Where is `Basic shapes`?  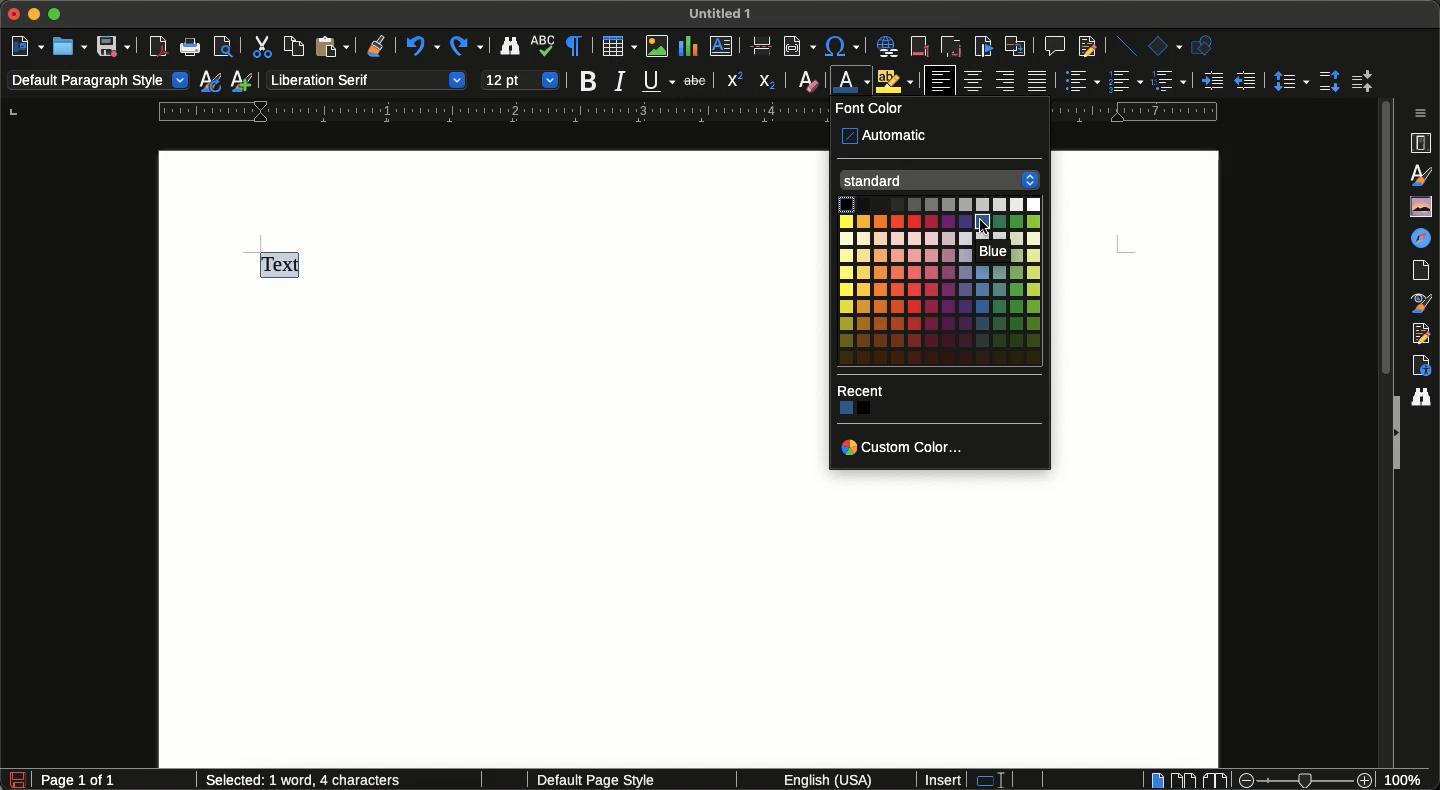
Basic shapes is located at coordinates (1166, 45).